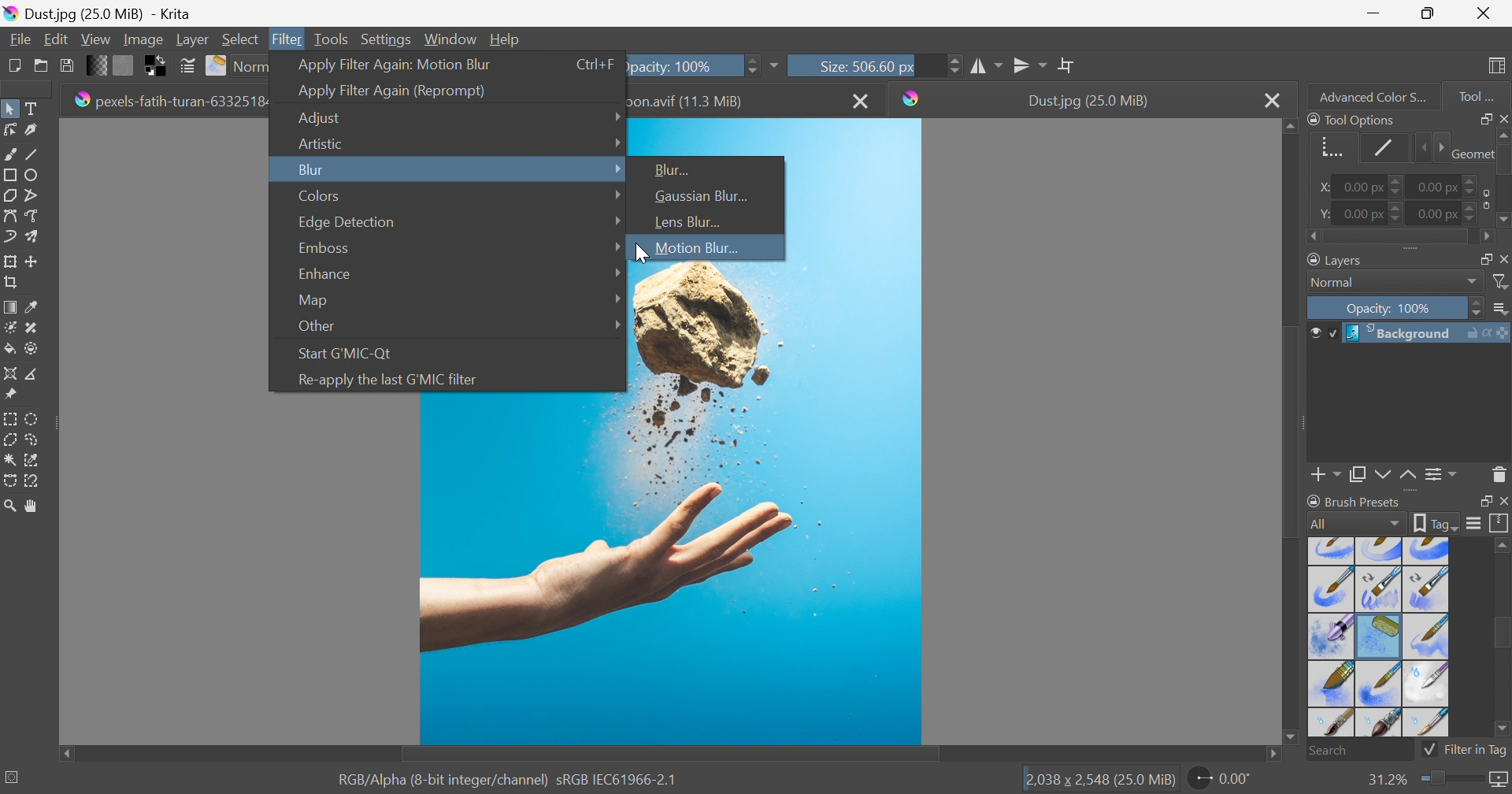  I want to click on Display settings, so click(1473, 523).